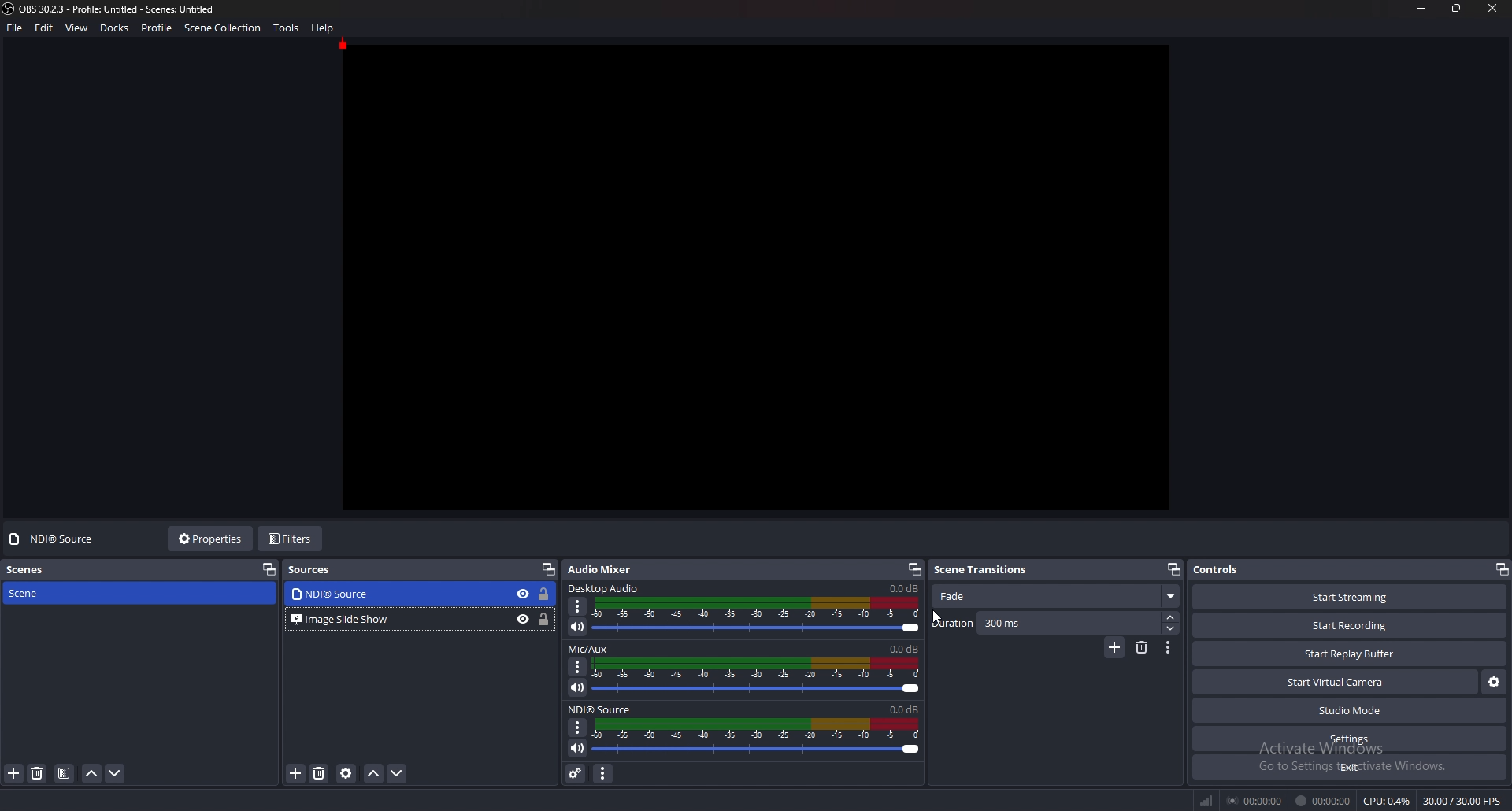  Describe the element at coordinates (906, 648) in the screenshot. I see `volume level` at that location.